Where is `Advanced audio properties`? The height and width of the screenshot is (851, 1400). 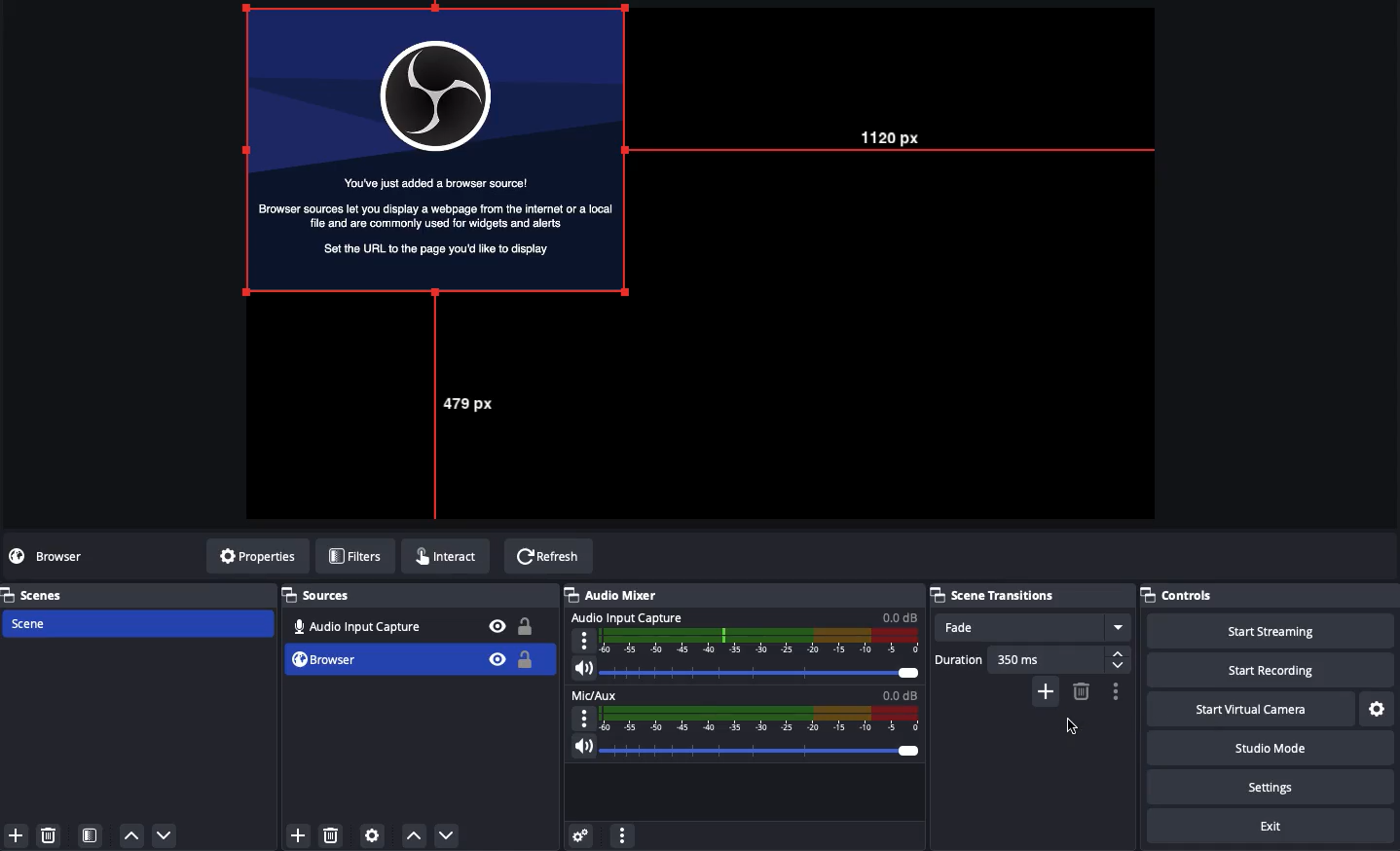
Advanced audio properties is located at coordinates (583, 836).